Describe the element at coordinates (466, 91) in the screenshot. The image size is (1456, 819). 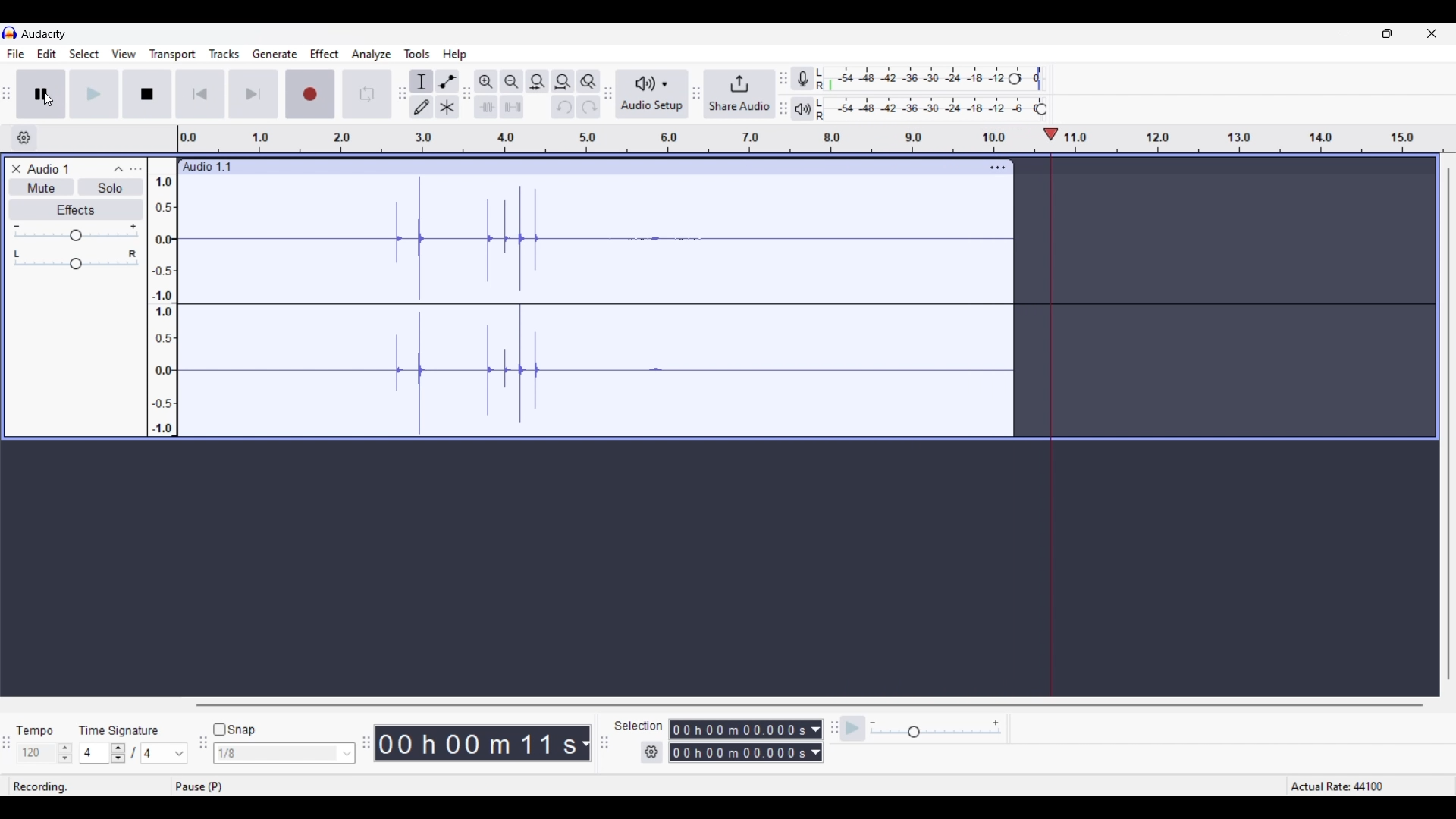
I see `toolbar` at that location.